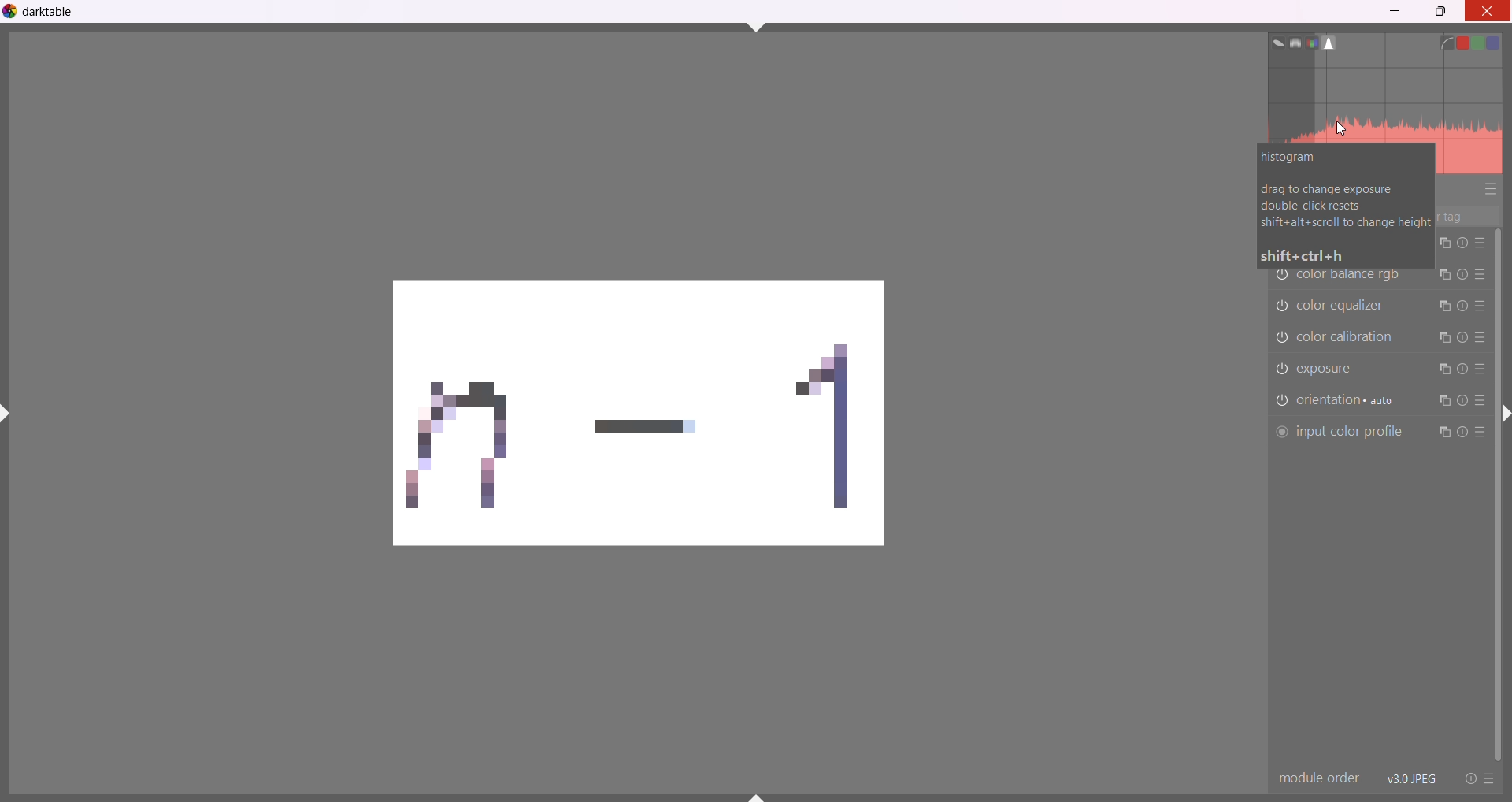 The width and height of the screenshot is (1512, 802). Describe the element at coordinates (758, 796) in the screenshot. I see `shift+ctrl+b` at that location.